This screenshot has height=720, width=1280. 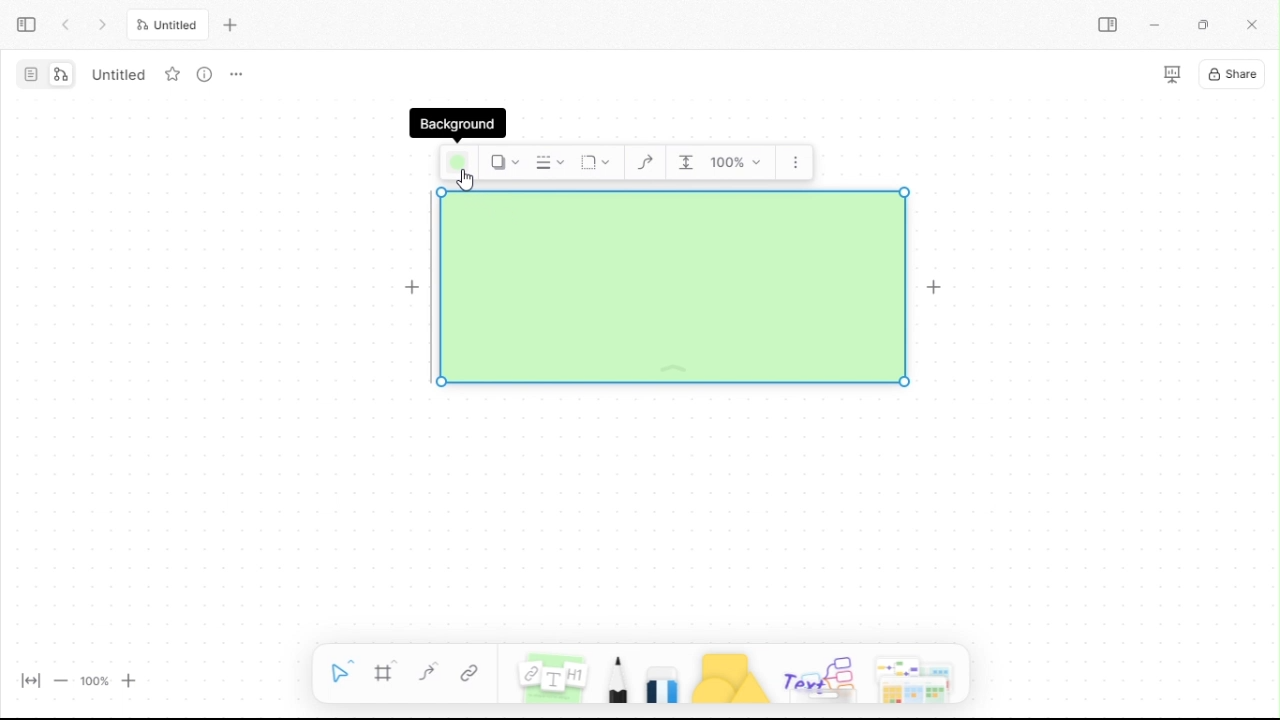 I want to click on cursor, so click(x=466, y=180).